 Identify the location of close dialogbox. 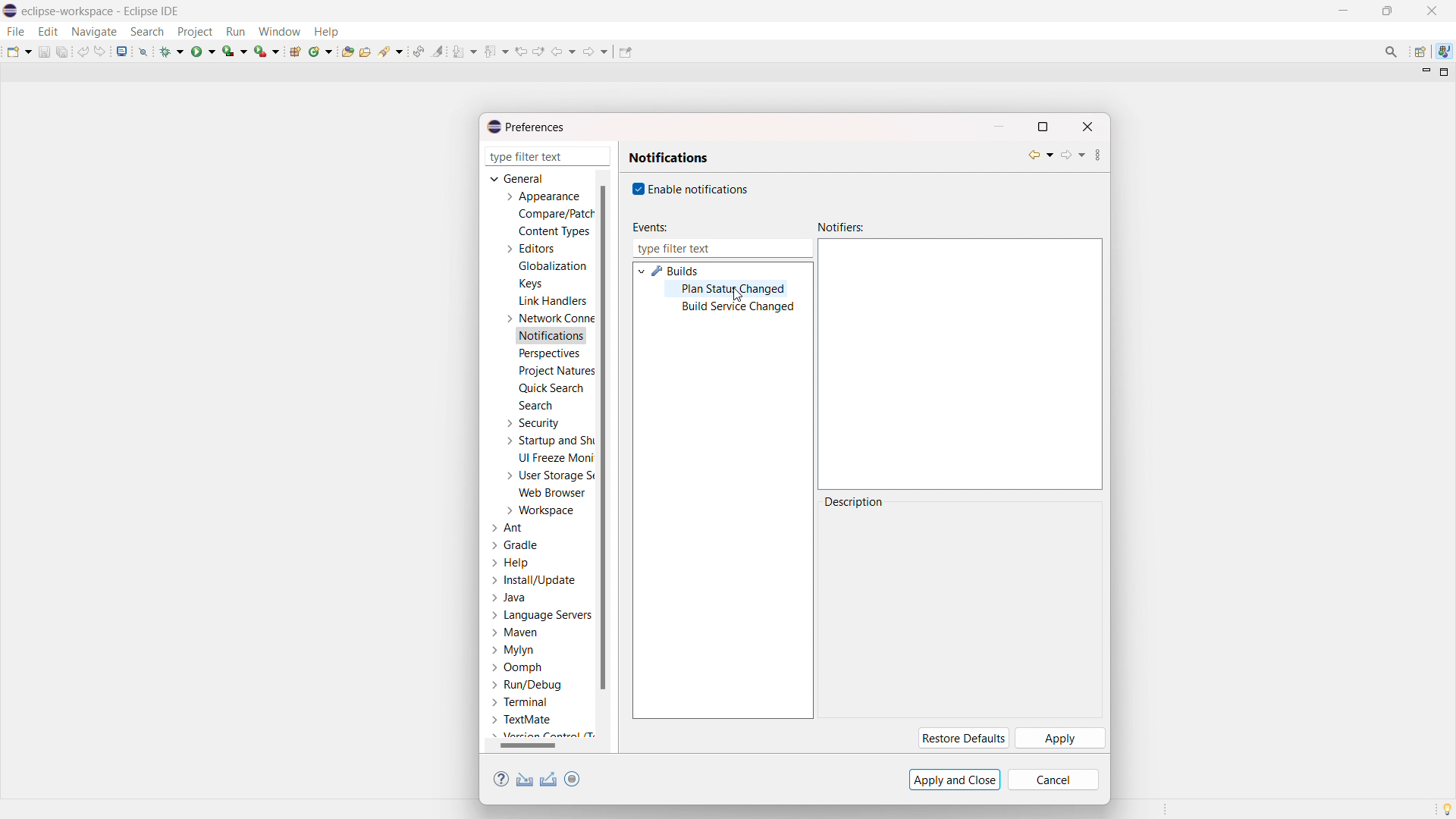
(1087, 127).